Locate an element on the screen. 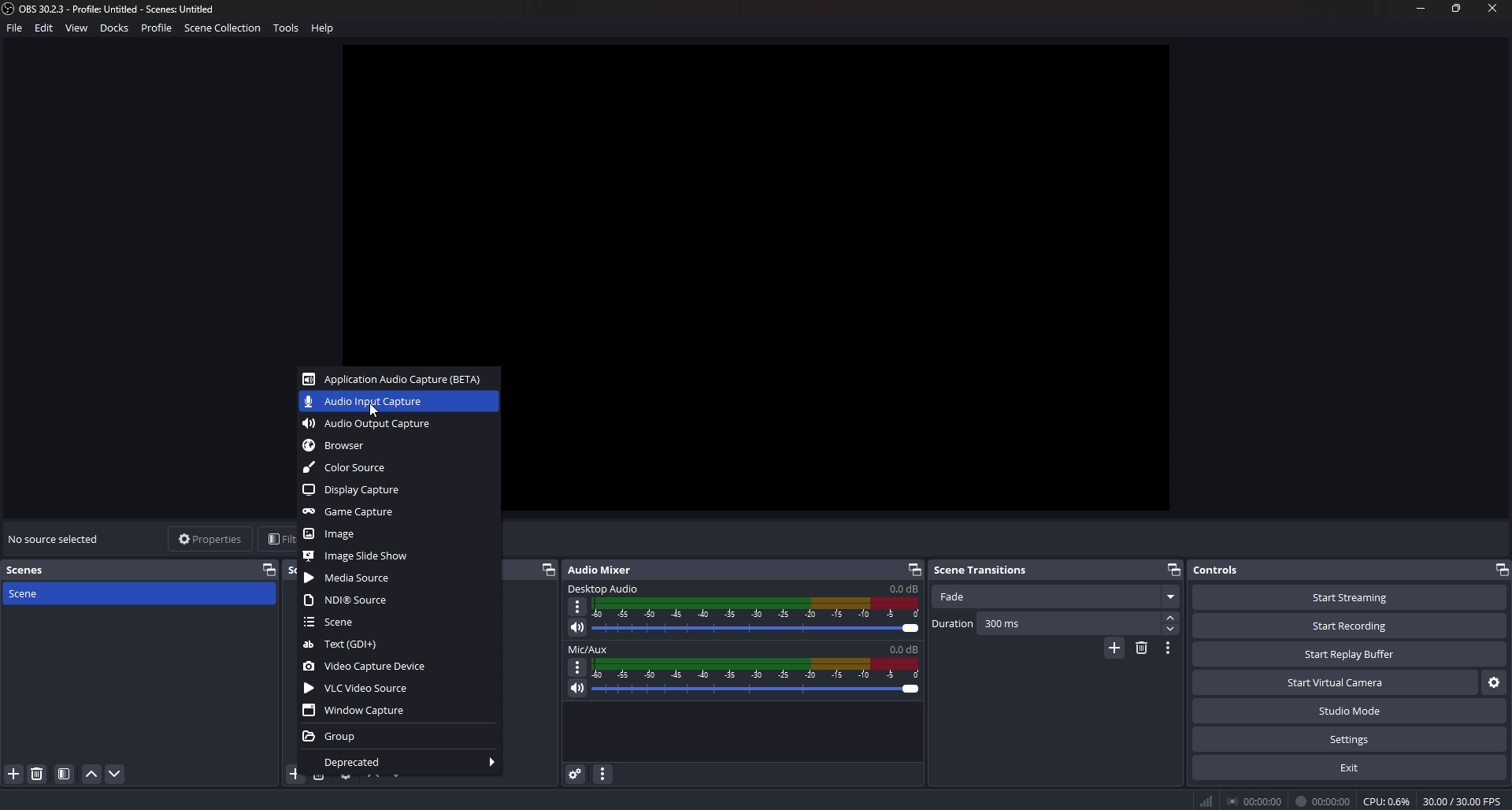  studio mode is located at coordinates (1350, 712).